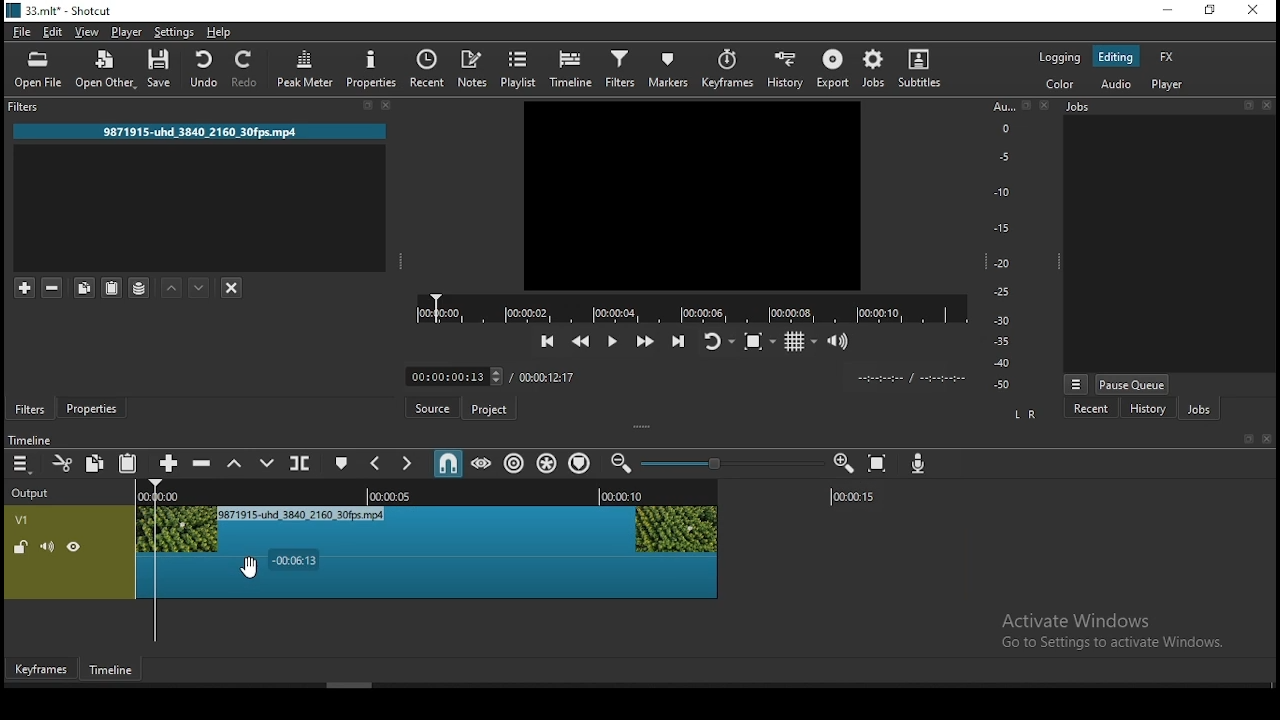 This screenshot has width=1280, height=720. I want to click on Jobs, so click(1085, 106).